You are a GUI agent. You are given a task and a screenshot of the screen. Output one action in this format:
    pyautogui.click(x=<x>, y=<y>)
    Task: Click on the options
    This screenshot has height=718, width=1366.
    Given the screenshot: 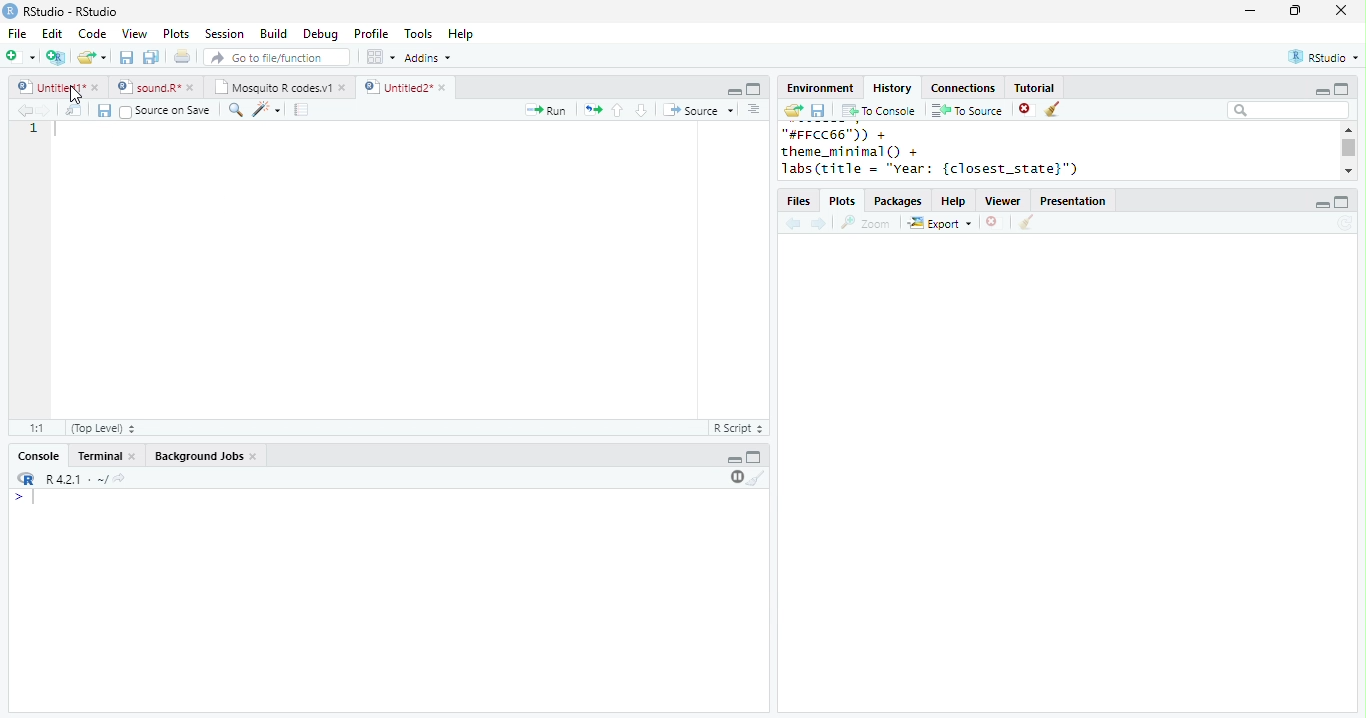 What is the action you would take?
    pyautogui.click(x=754, y=109)
    